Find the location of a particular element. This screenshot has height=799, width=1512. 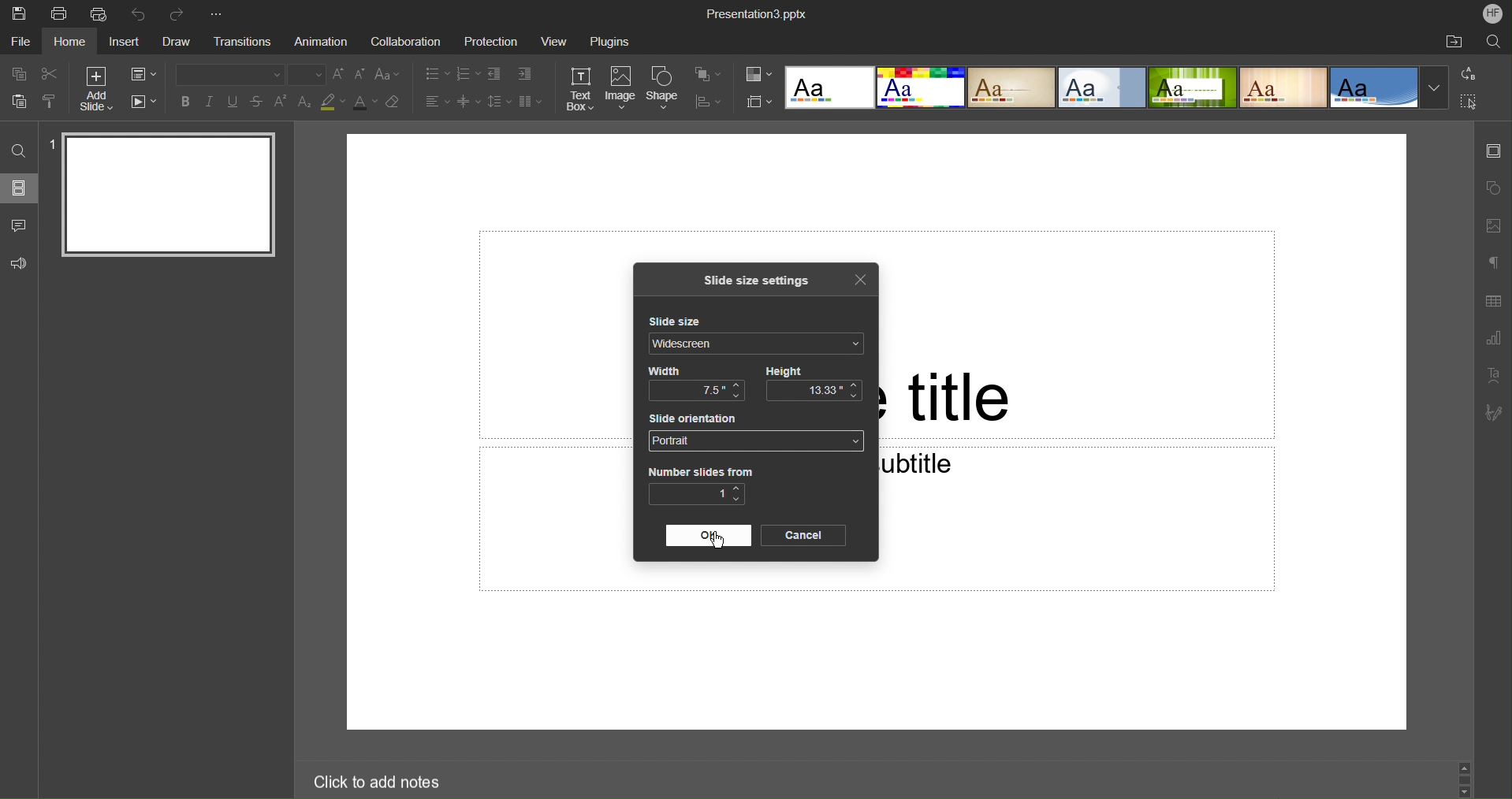

Redo is located at coordinates (181, 11).